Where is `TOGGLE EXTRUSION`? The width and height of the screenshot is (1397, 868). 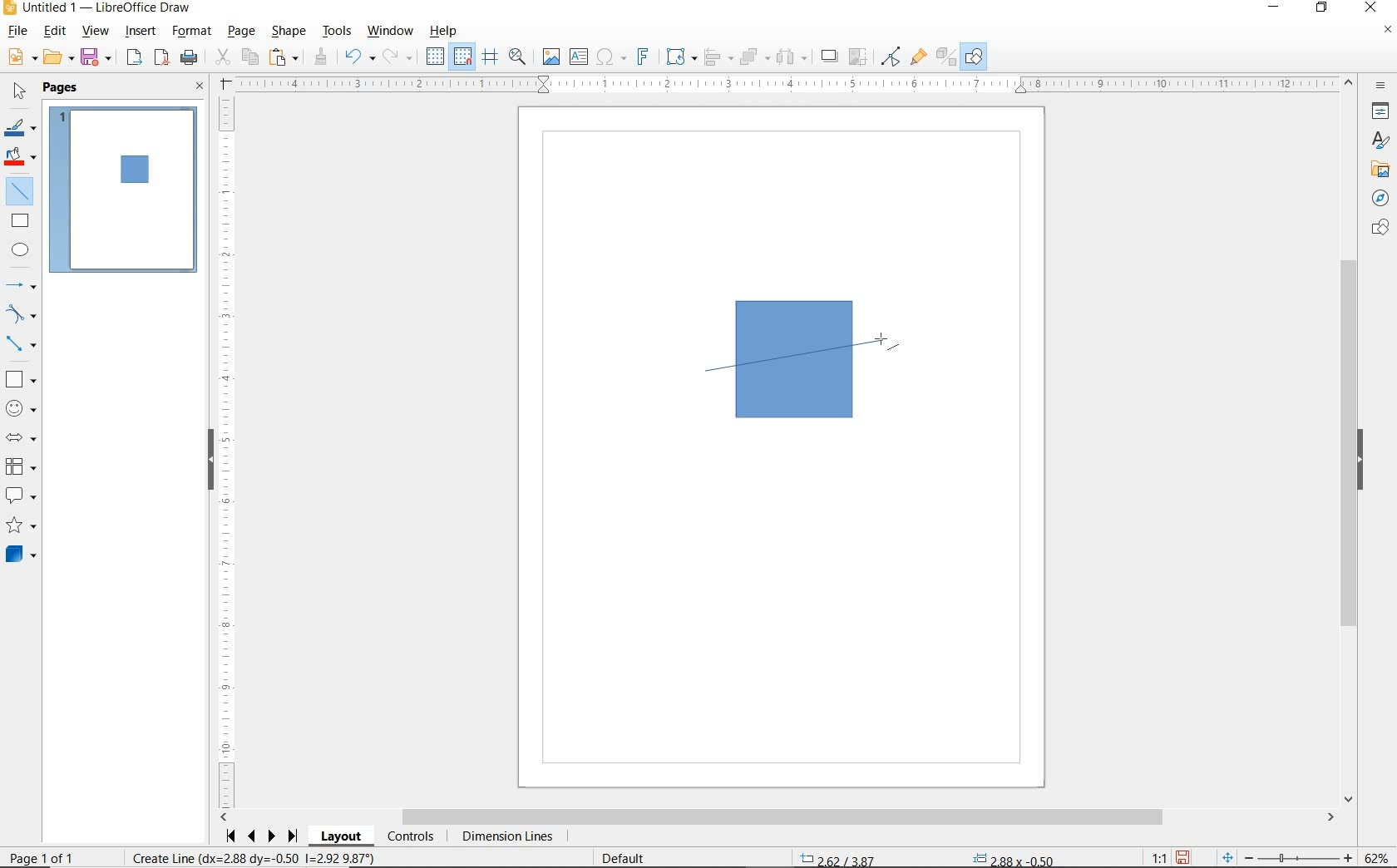 TOGGLE EXTRUSION is located at coordinates (945, 56).